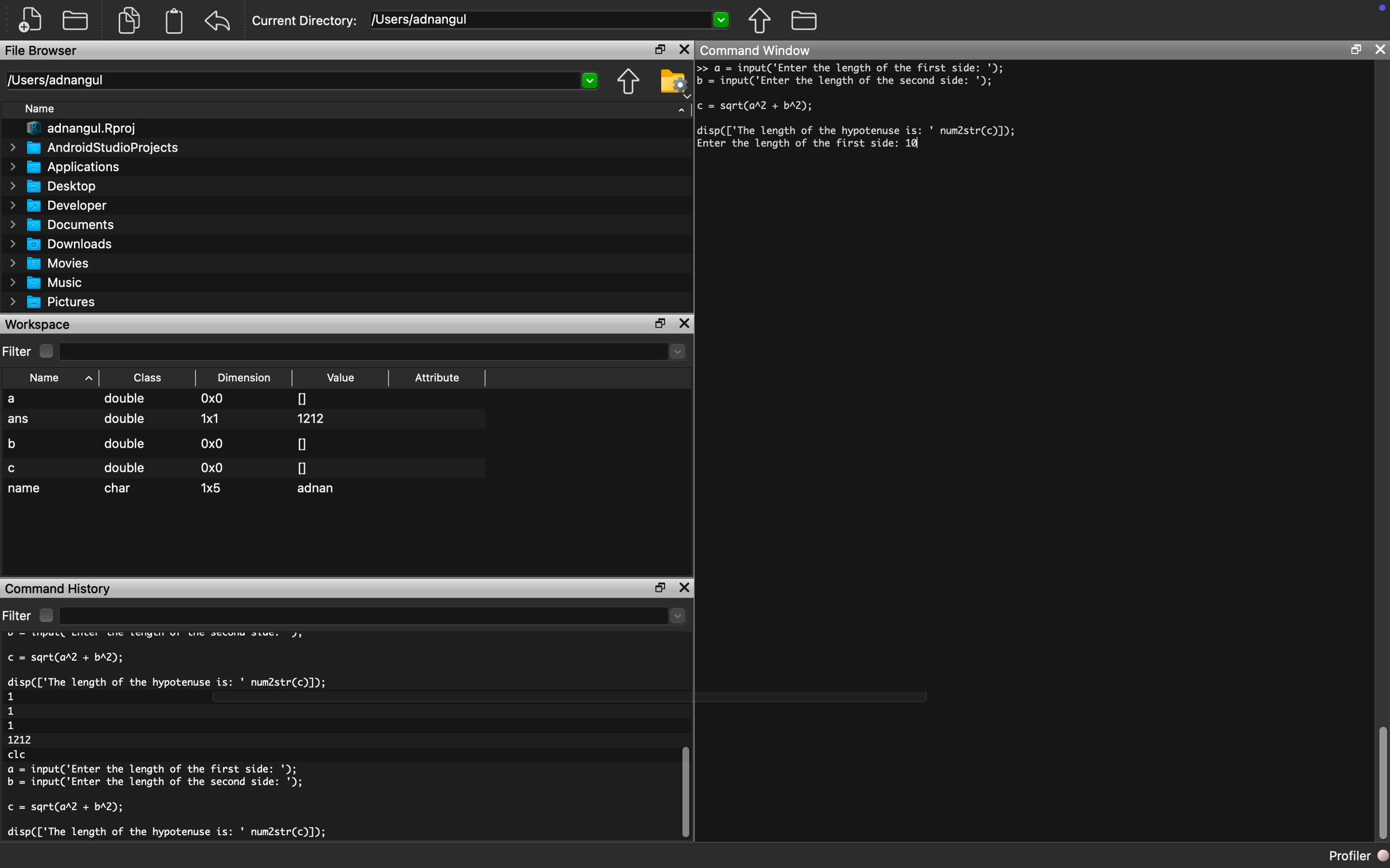 The width and height of the screenshot is (1390, 868). I want to click on 0x0, so click(210, 468).